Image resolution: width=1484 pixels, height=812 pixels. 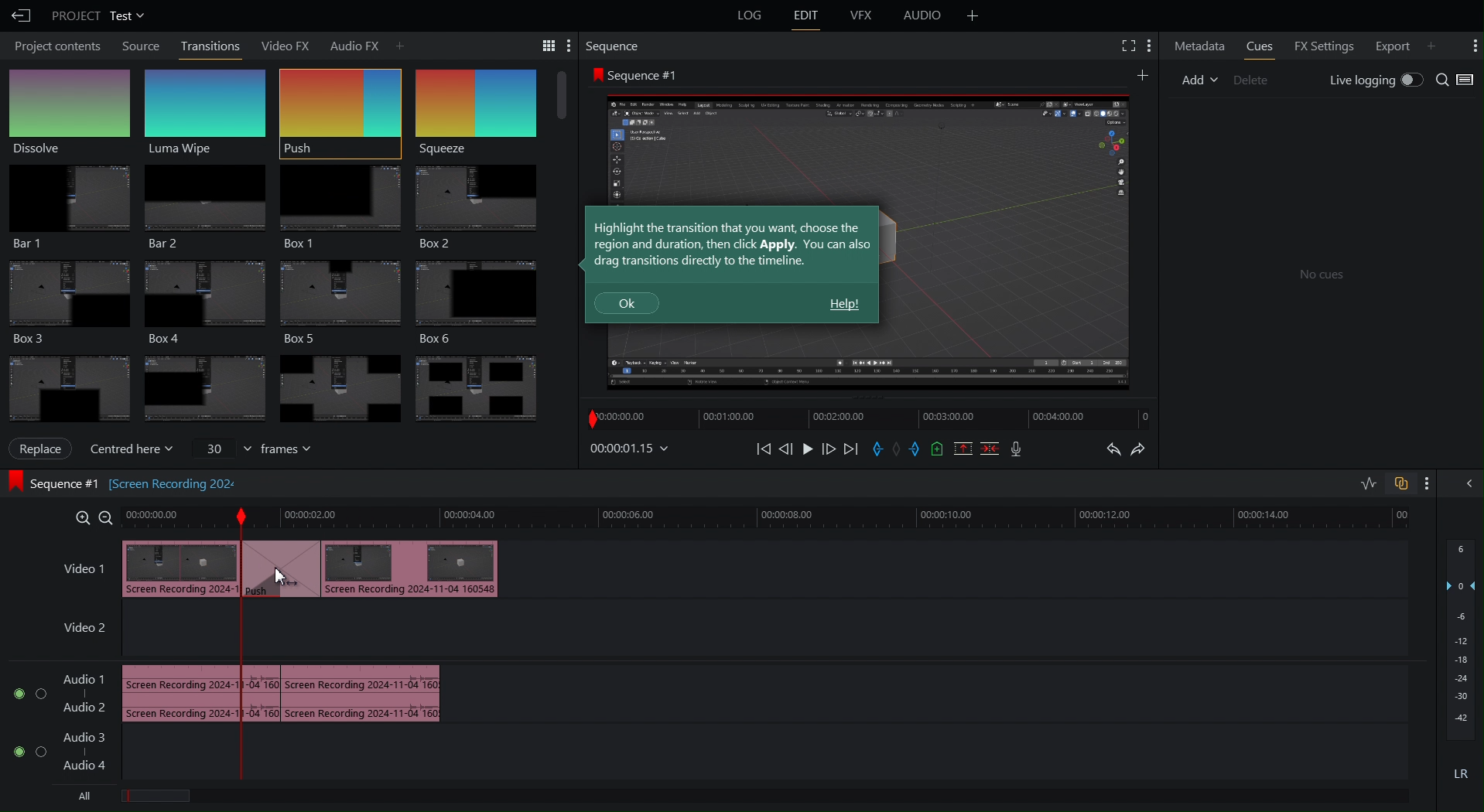 What do you see at coordinates (207, 111) in the screenshot?
I see `Luma Wipe` at bounding box center [207, 111].